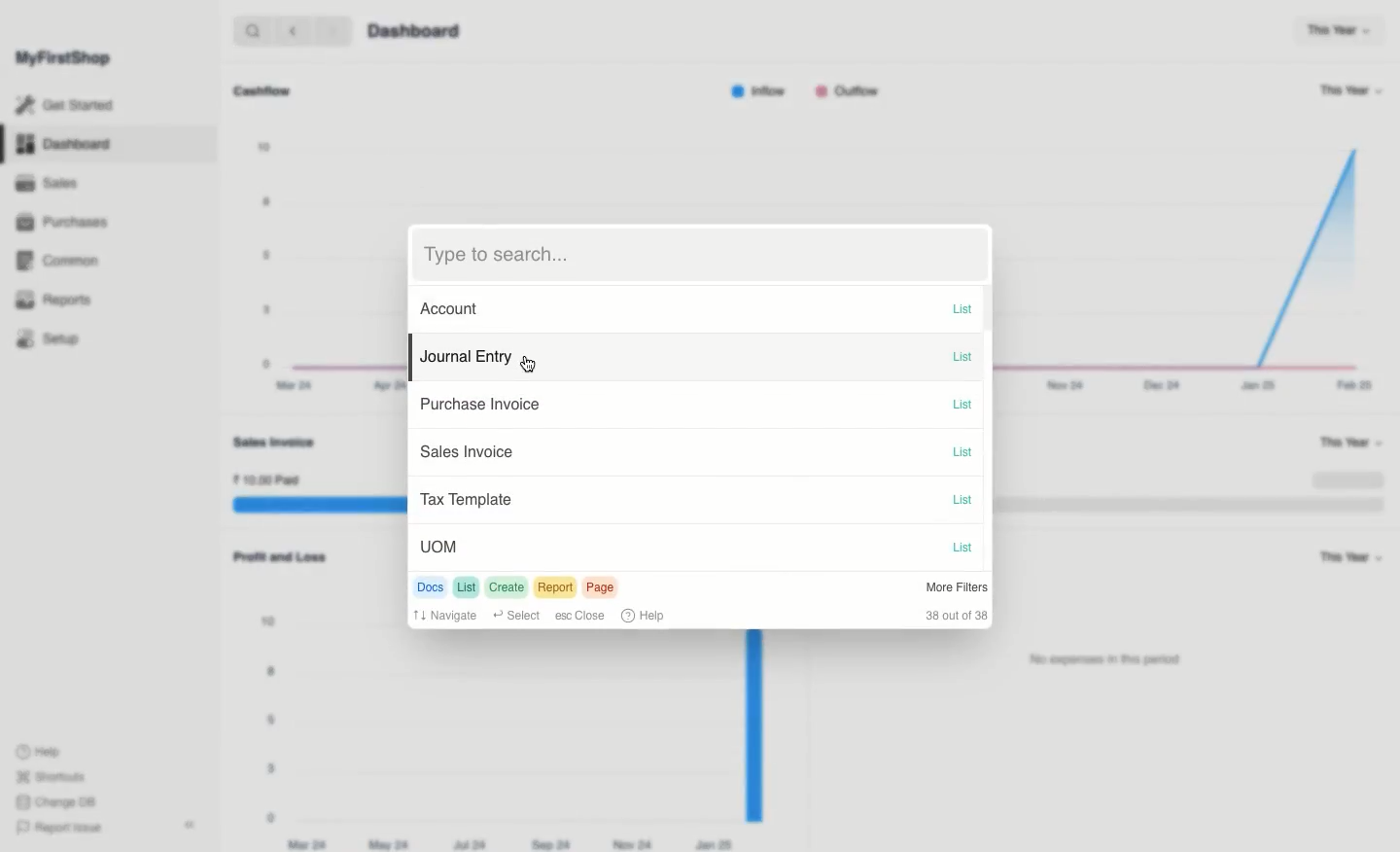 This screenshot has width=1400, height=852. Describe the element at coordinates (514, 616) in the screenshot. I see `Select` at that location.